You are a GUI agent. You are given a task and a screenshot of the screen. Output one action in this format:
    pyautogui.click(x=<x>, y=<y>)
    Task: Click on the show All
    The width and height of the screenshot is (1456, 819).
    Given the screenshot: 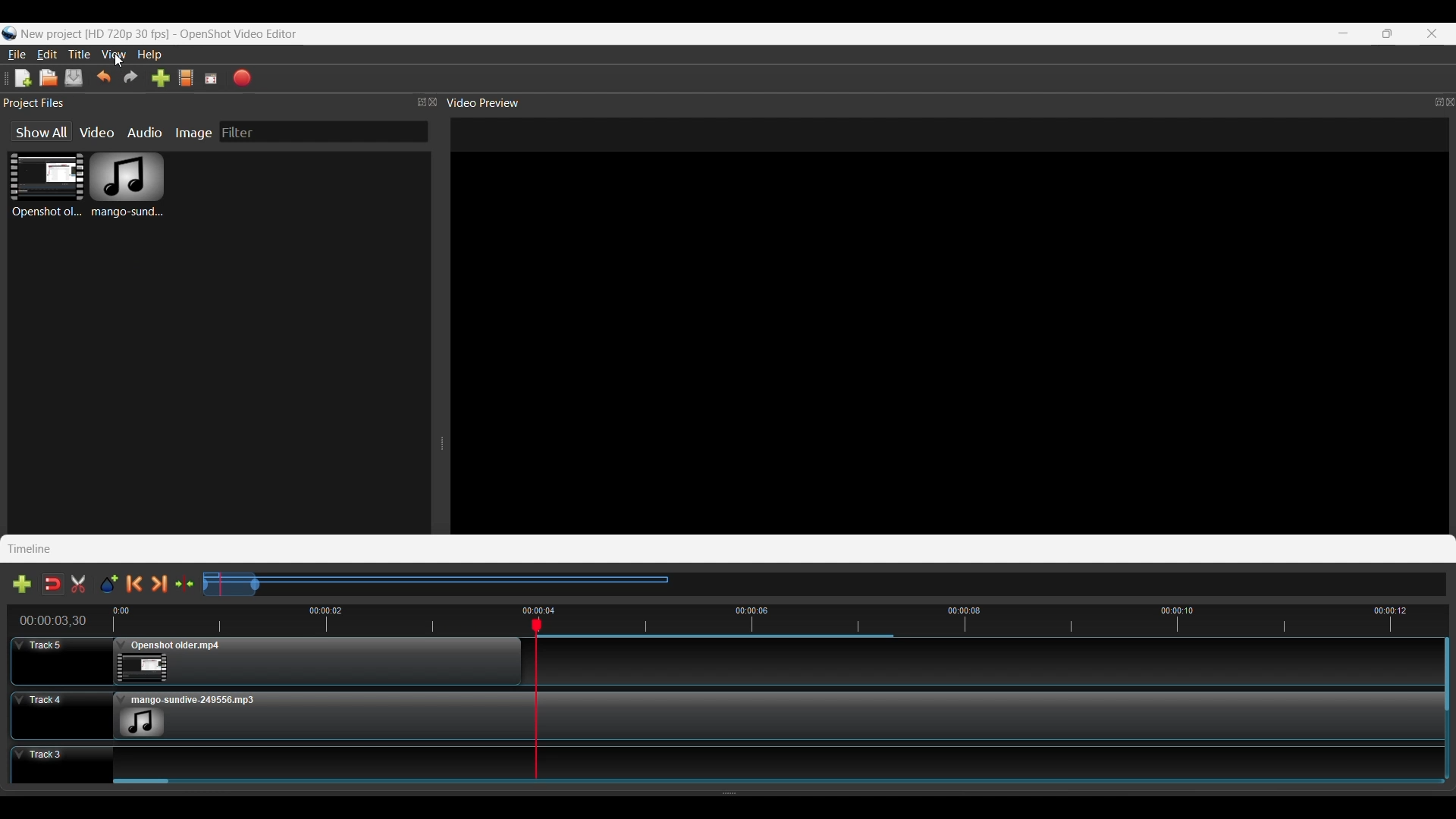 What is the action you would take?
    pyautogui.click(x=40, y=131)
    